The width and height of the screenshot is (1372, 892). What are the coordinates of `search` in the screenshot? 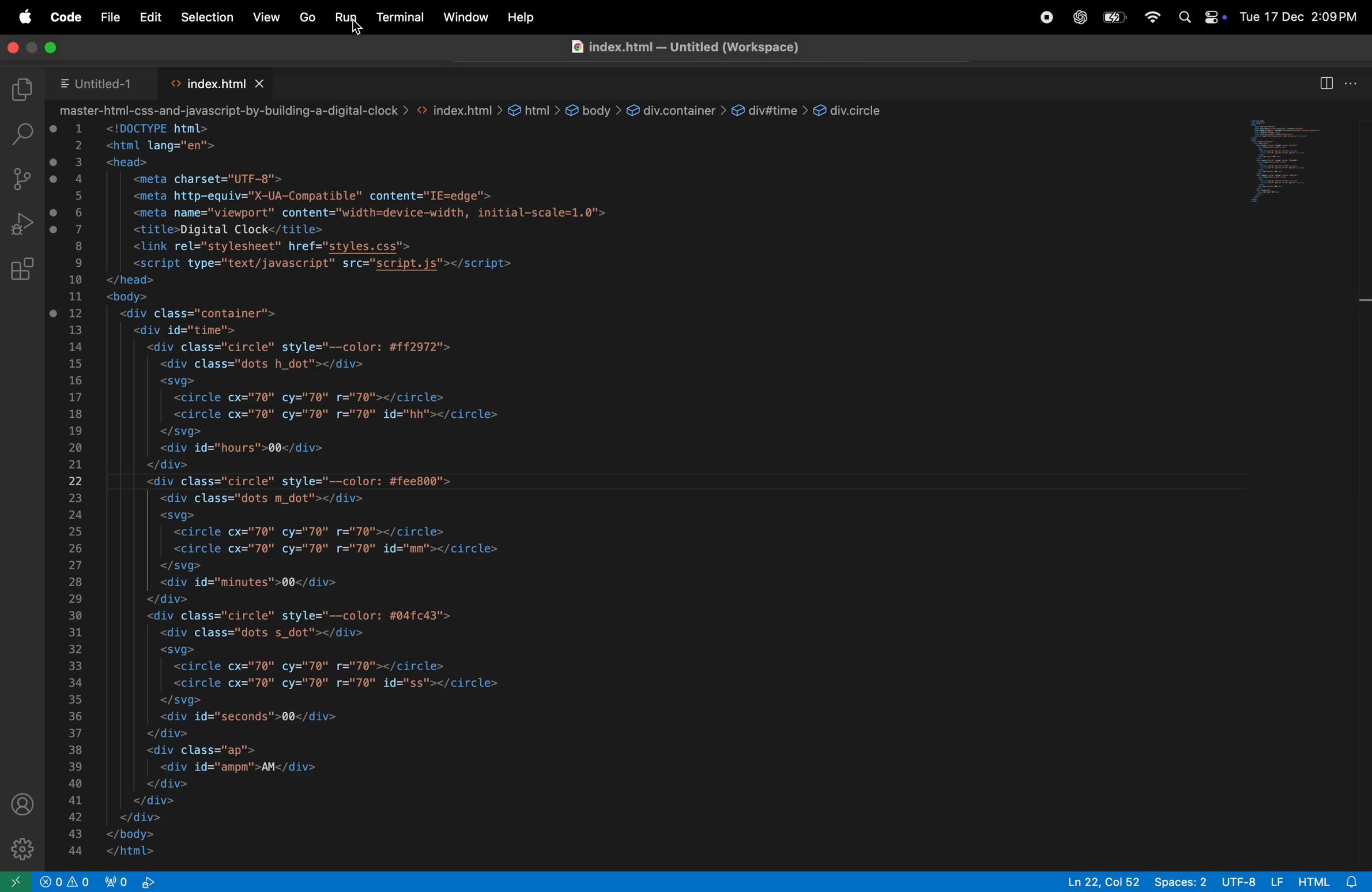 It's located at (1185, 18).